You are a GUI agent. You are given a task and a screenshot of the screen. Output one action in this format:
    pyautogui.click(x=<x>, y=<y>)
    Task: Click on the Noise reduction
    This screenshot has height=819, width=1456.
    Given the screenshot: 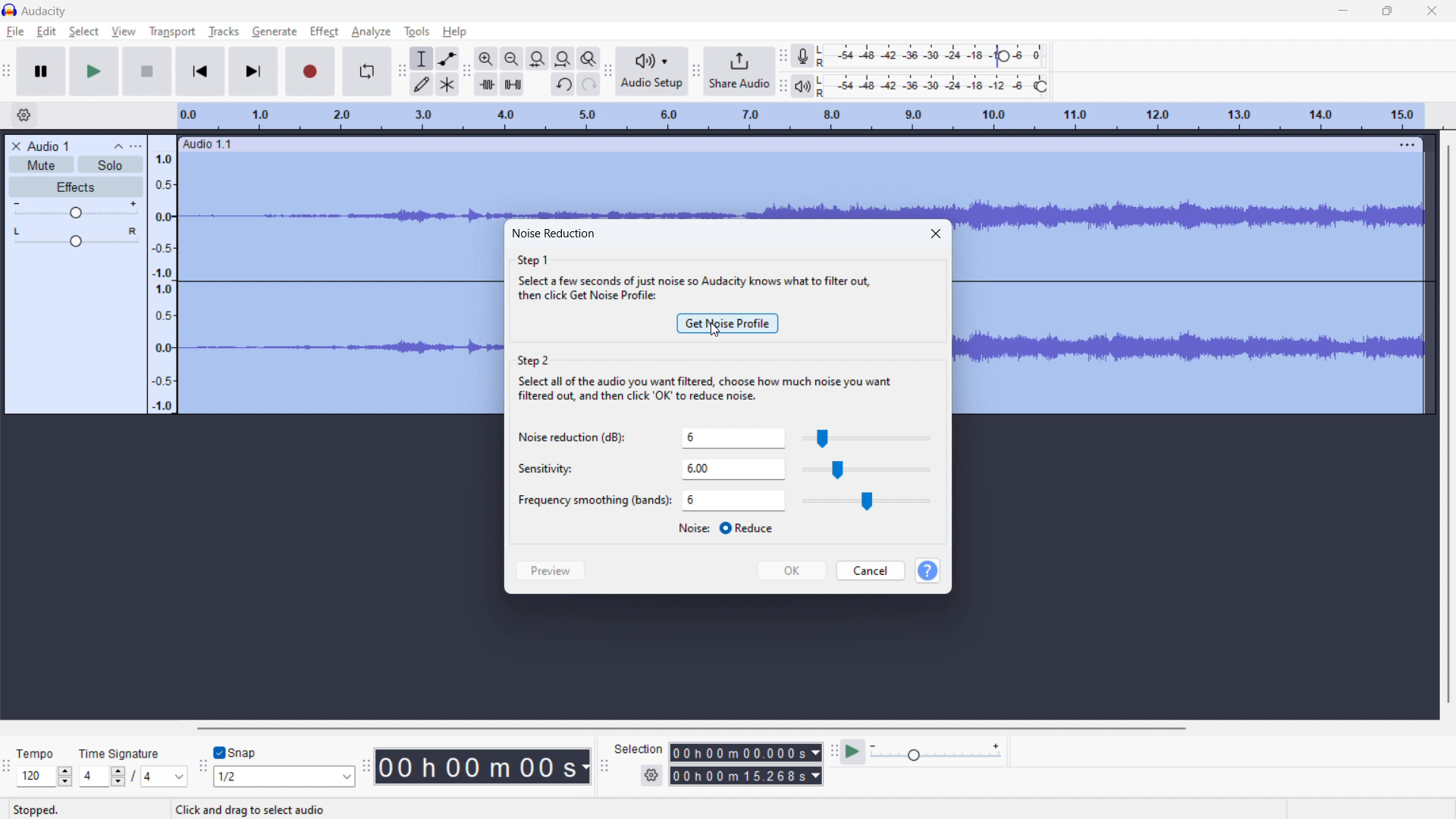 What is the action you would take?
    pyautogui.click(x=573, y=438)
    